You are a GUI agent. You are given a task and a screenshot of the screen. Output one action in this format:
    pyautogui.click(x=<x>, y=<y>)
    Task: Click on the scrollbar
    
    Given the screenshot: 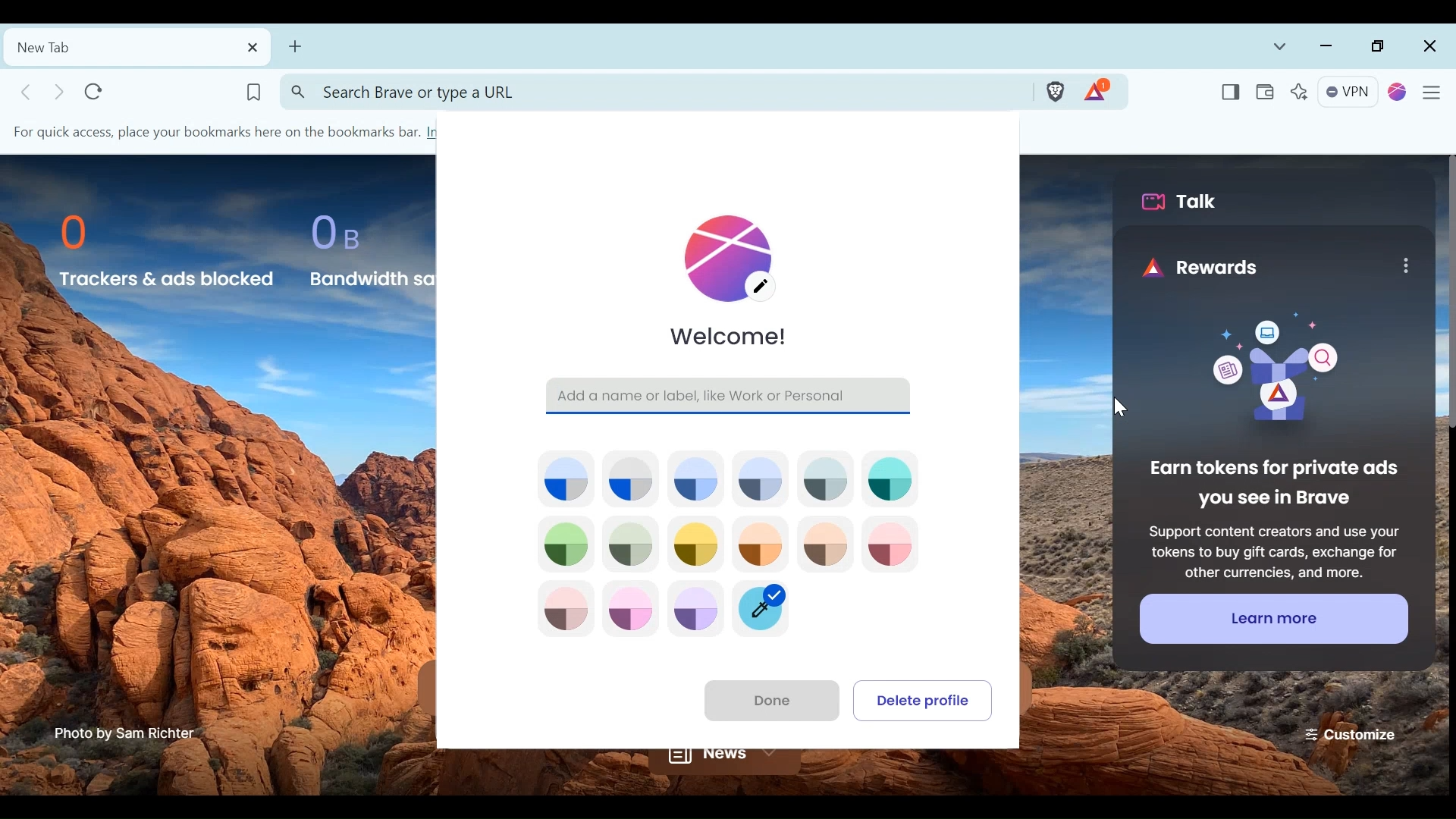 What is the action you would take?
    pyautogui.click(x=1446, y=296)
    